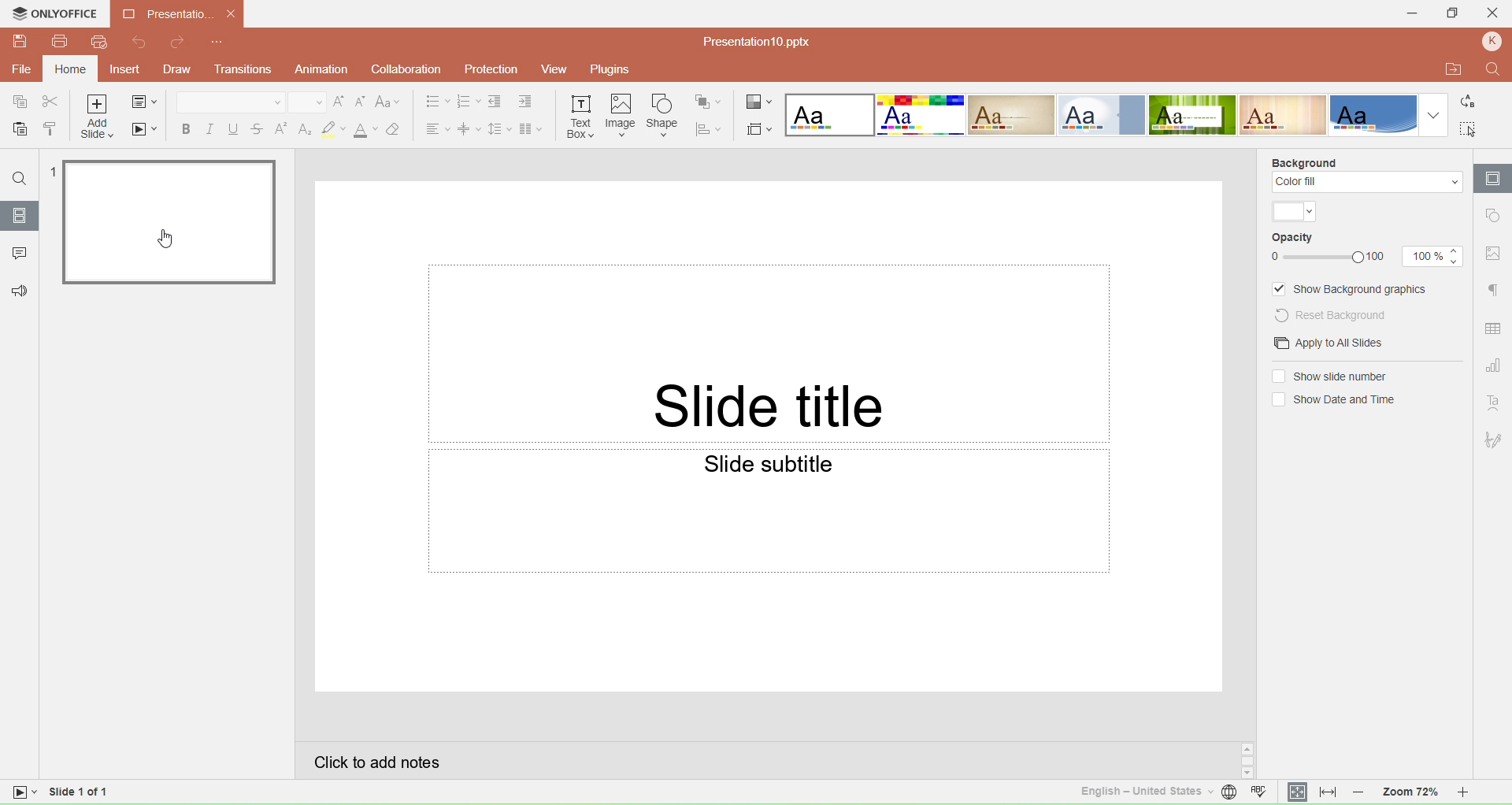 The width and height of the screenshot is (1512, 805). Describe the element at coordinates (1359, 792) in the screenshot. I see `Zoom out` at that location.